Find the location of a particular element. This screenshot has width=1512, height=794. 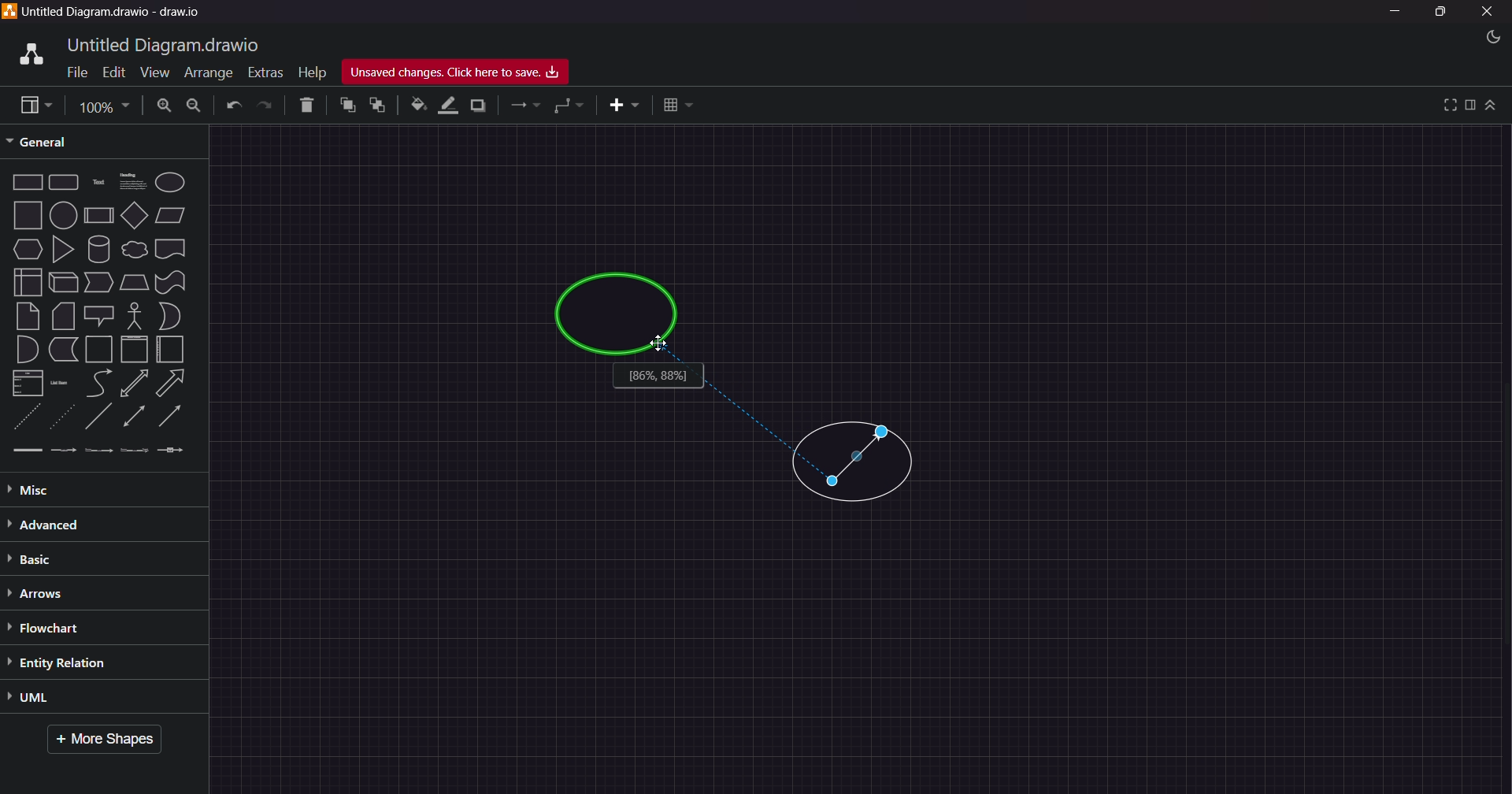

Page Size is located at coordinates (102, 105).